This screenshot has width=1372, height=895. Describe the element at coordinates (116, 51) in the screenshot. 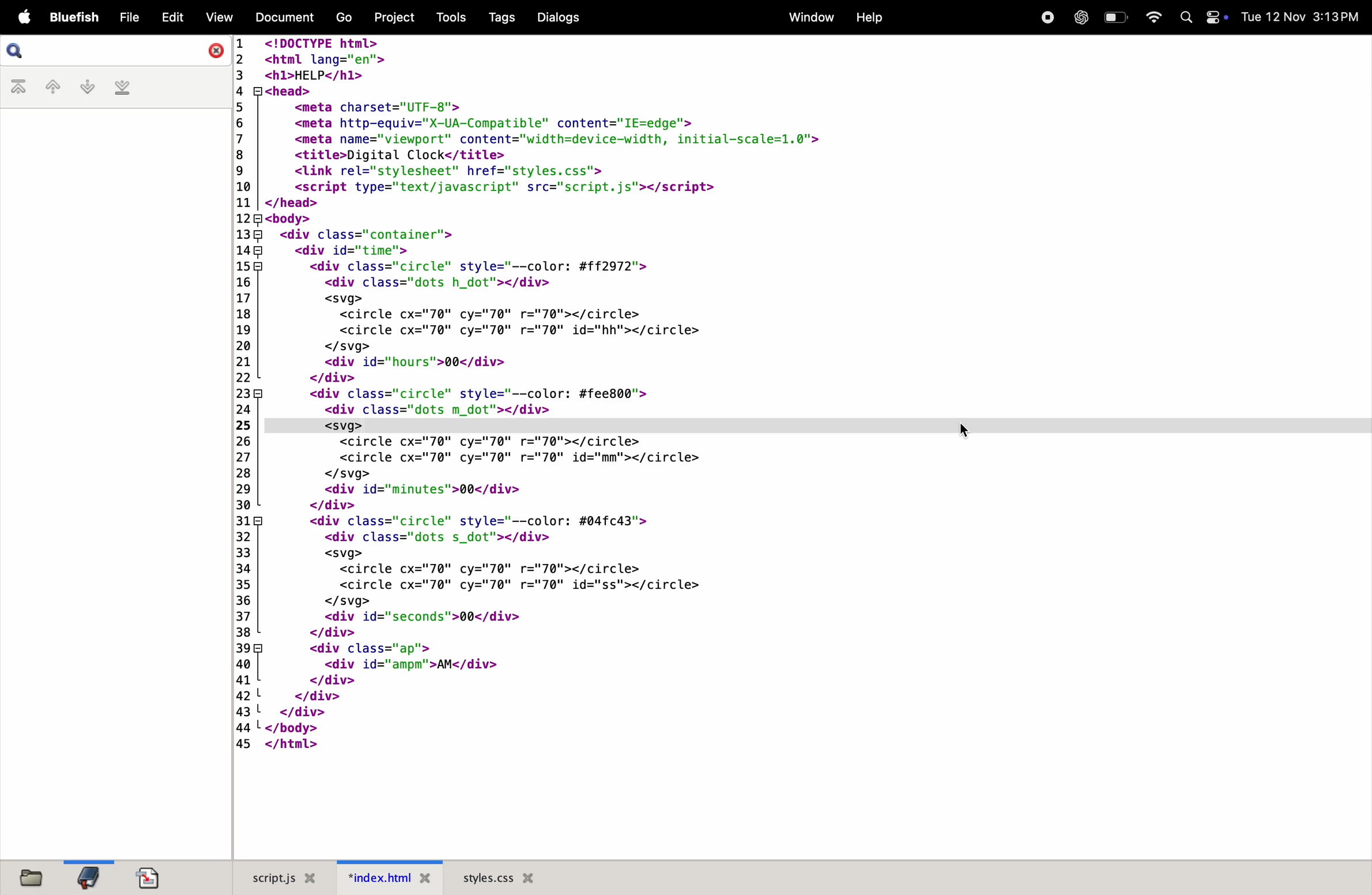

I see `search ` at that location.